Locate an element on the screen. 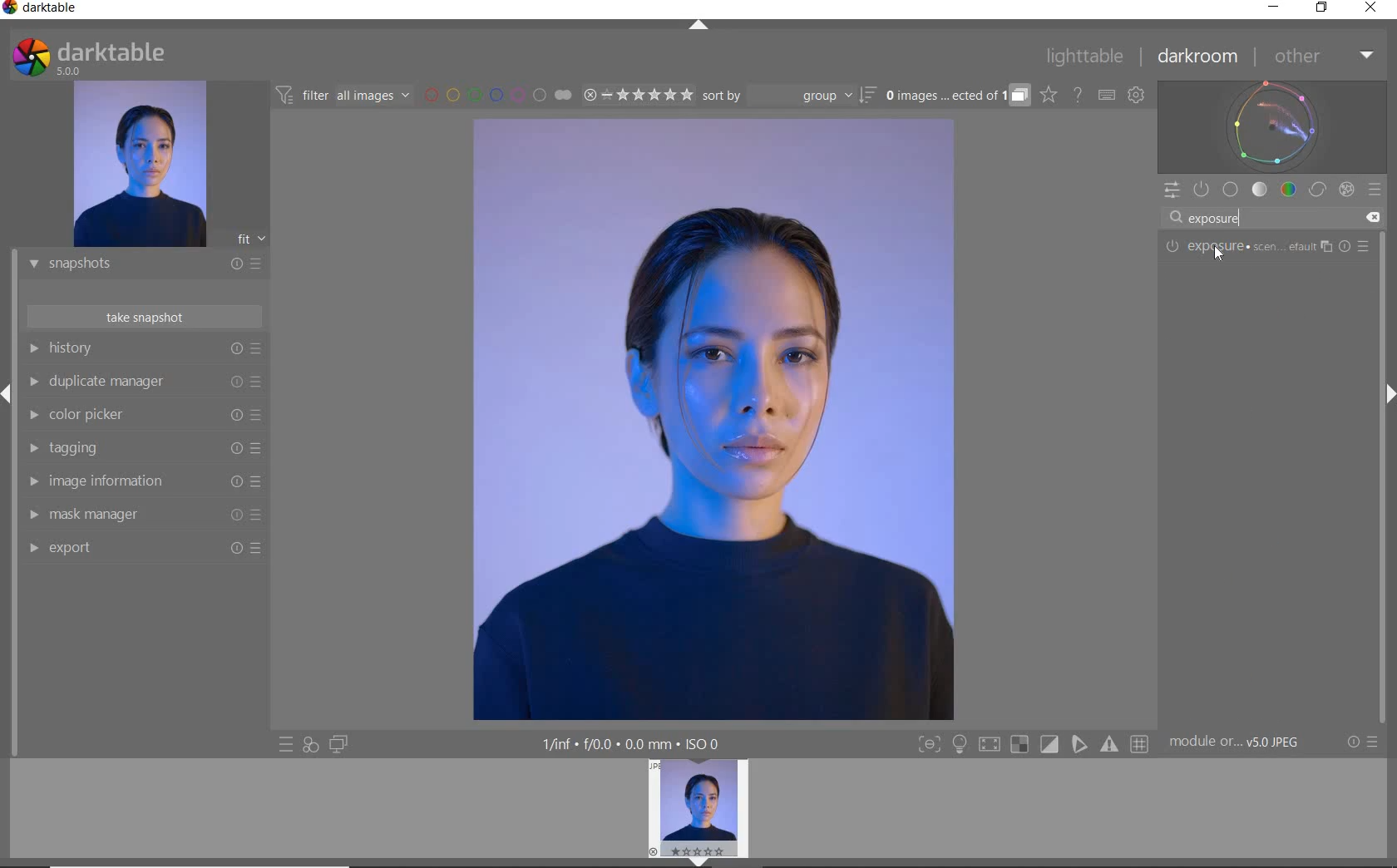 The height and width of the screenshot is (868, 1397). SELECTED IMAGE is located at coordinates (712, 419).